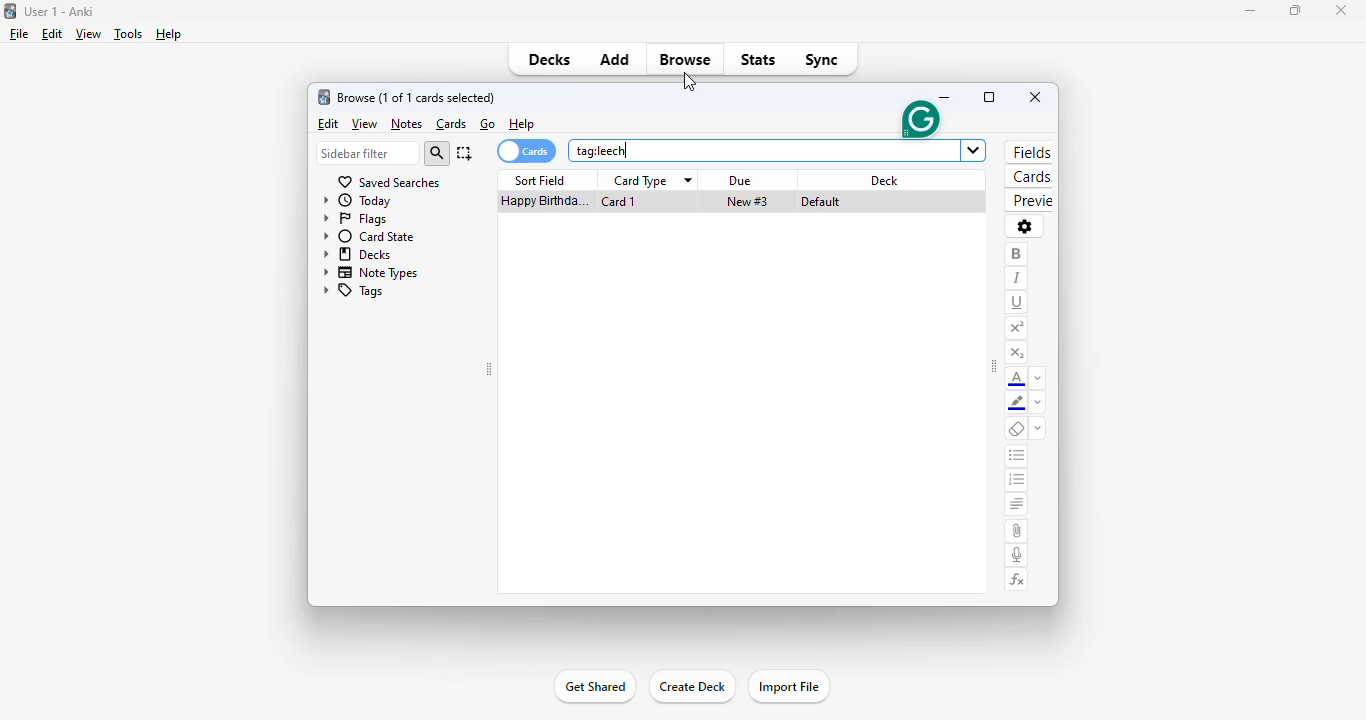 The height and width of the screenshot is (720, 1366). What do you see at coordinates (388, 183) in the screenshot?
I see `saved searches` at bounding box center [388, 183].